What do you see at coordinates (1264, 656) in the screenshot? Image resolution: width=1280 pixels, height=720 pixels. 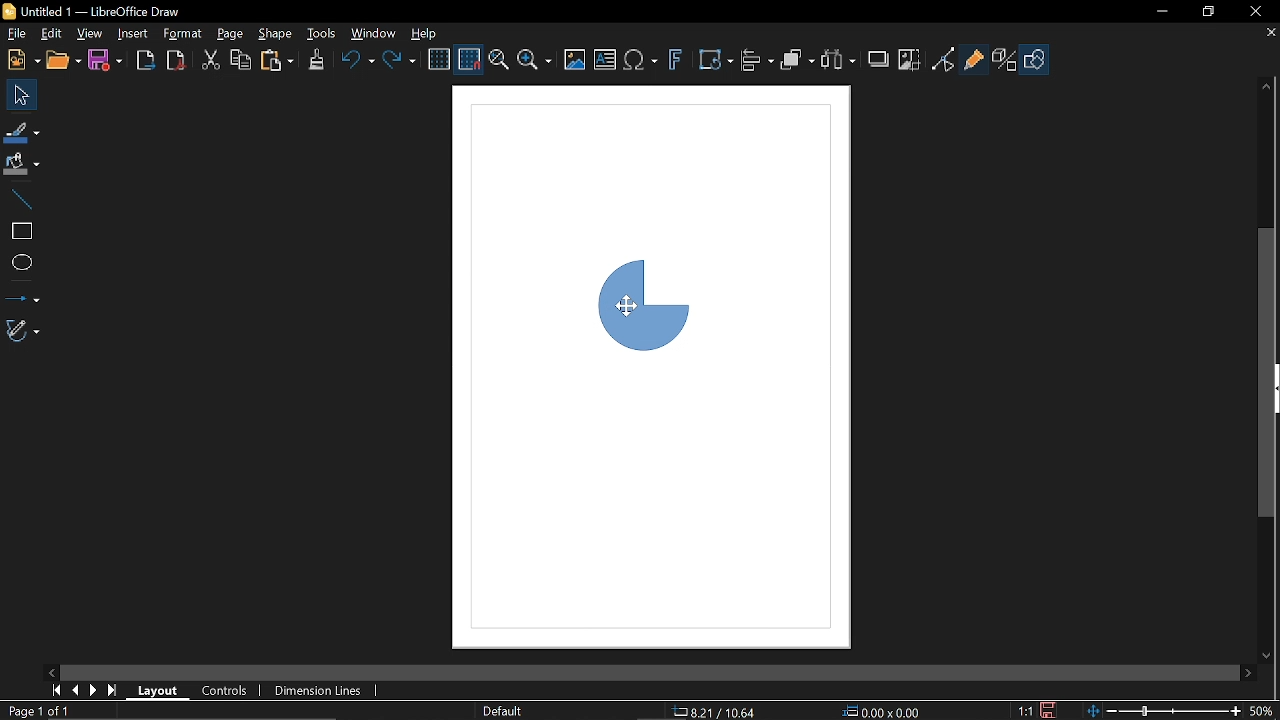 I see `Move down` at bounding box center [1264, 656].